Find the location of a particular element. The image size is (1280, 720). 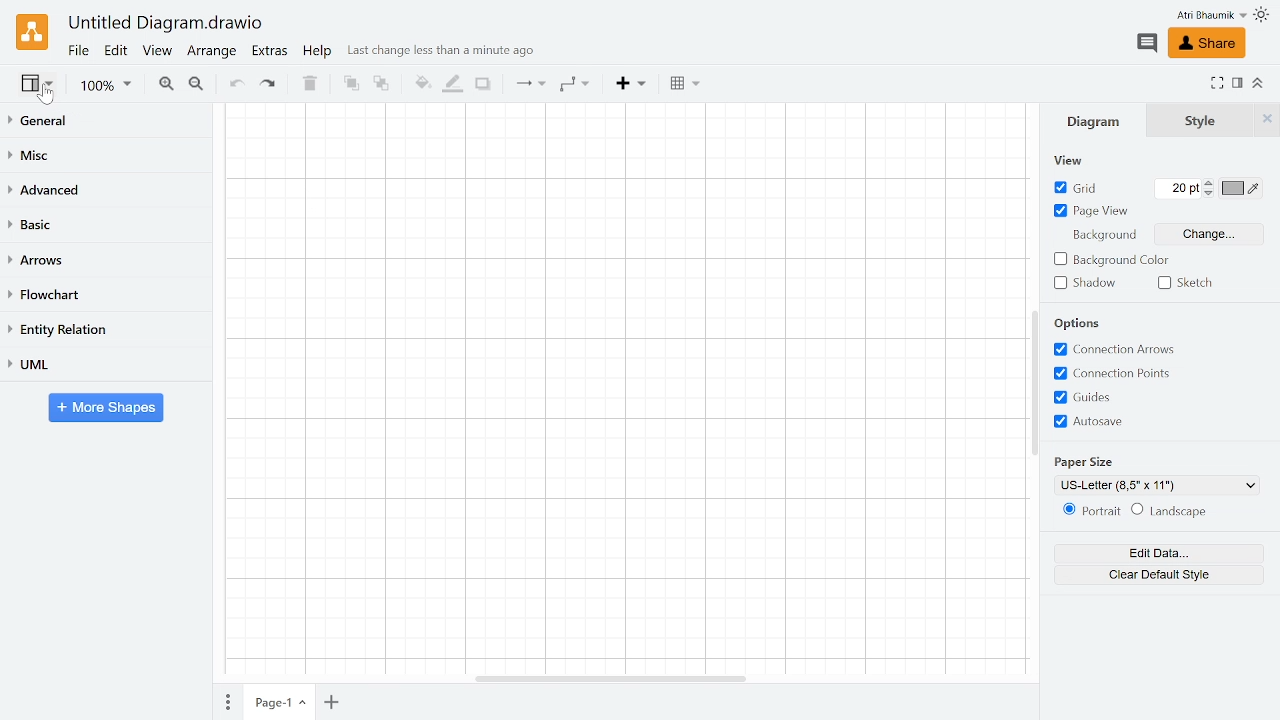

Redo is located at coordinates (270, 86).